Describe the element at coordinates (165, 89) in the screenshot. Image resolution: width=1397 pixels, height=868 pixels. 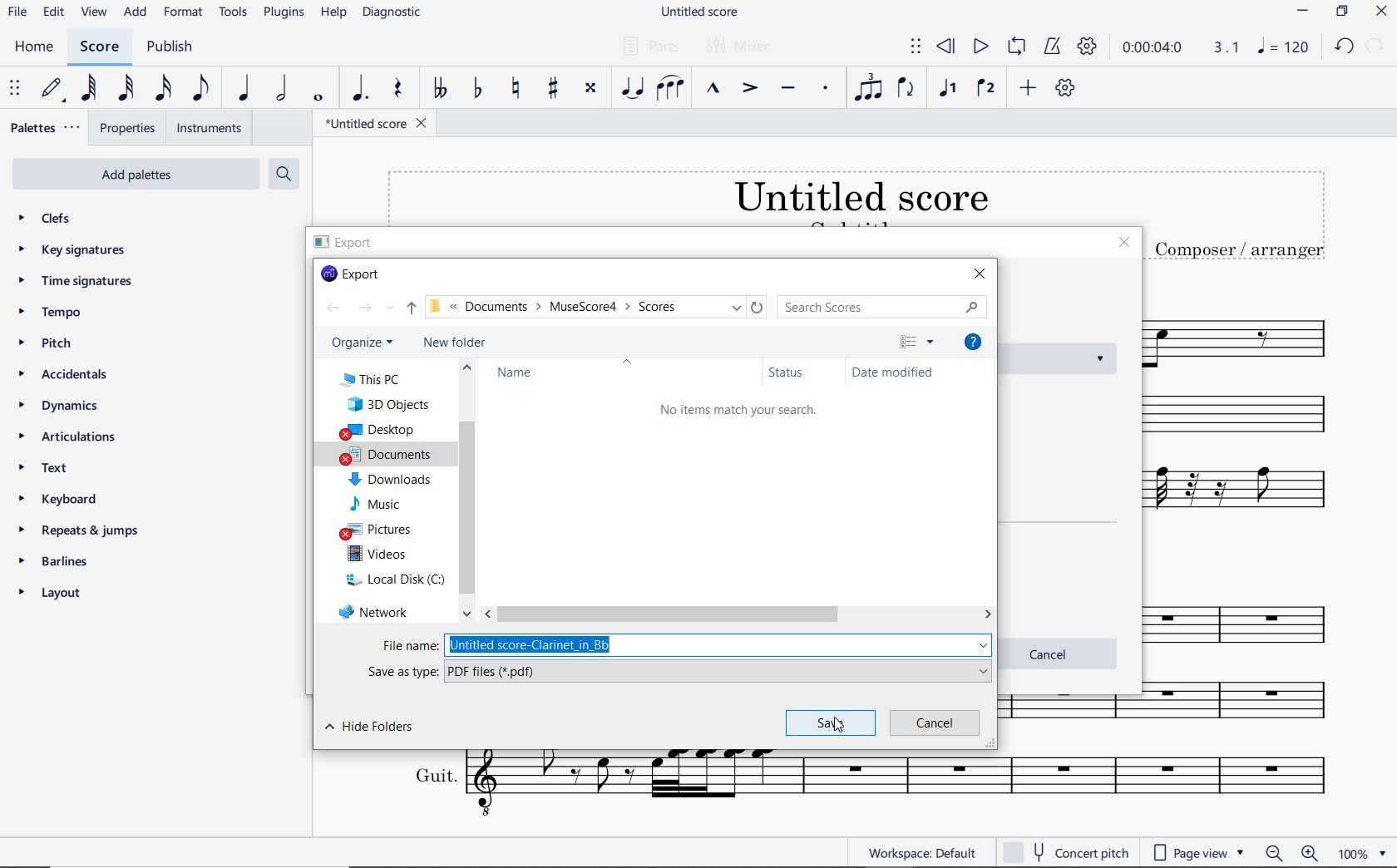
I see `16TH NOTE` at that location.